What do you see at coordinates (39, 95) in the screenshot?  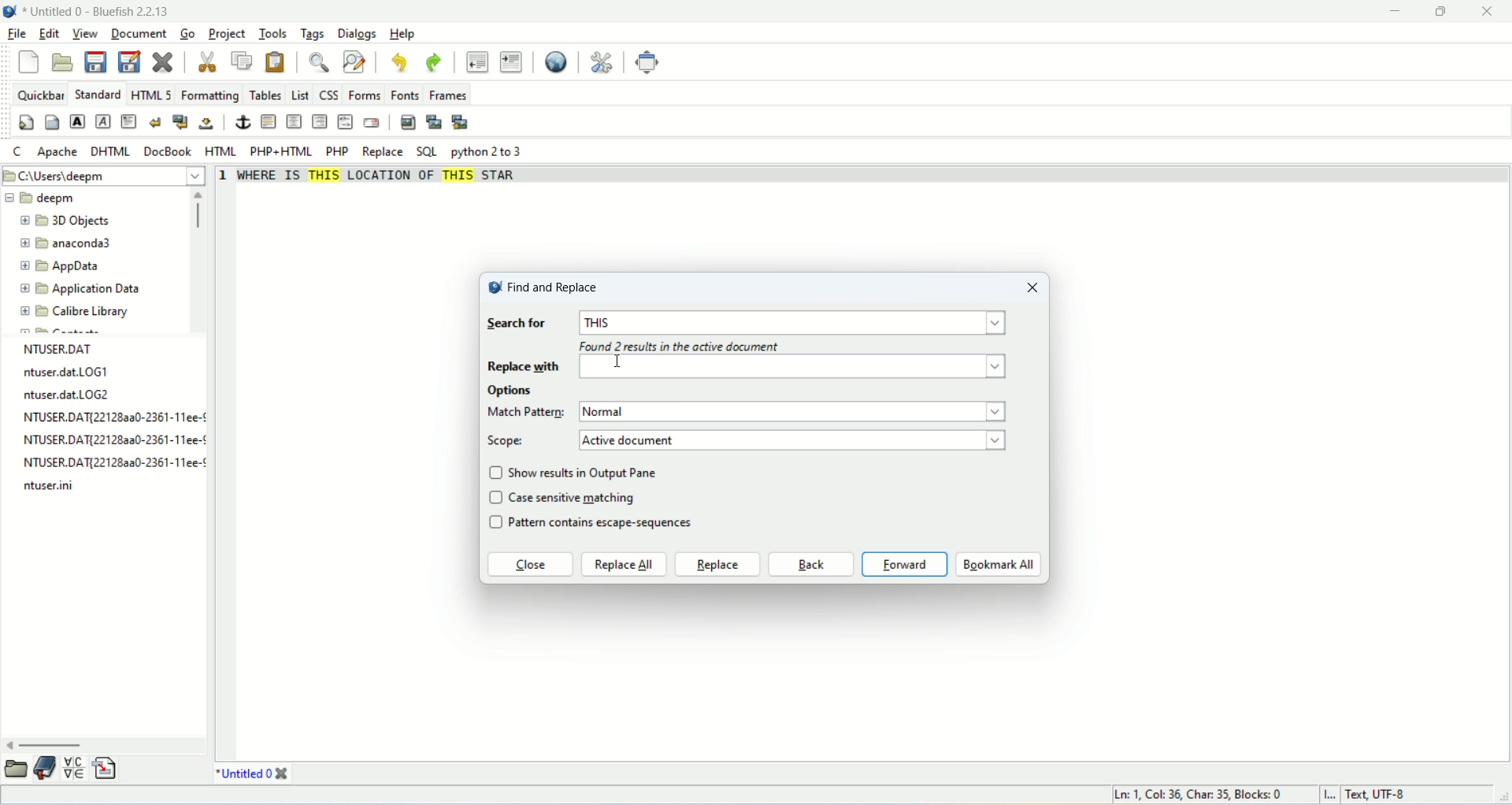 I see `quickbar` at bounding box center [39, 95].